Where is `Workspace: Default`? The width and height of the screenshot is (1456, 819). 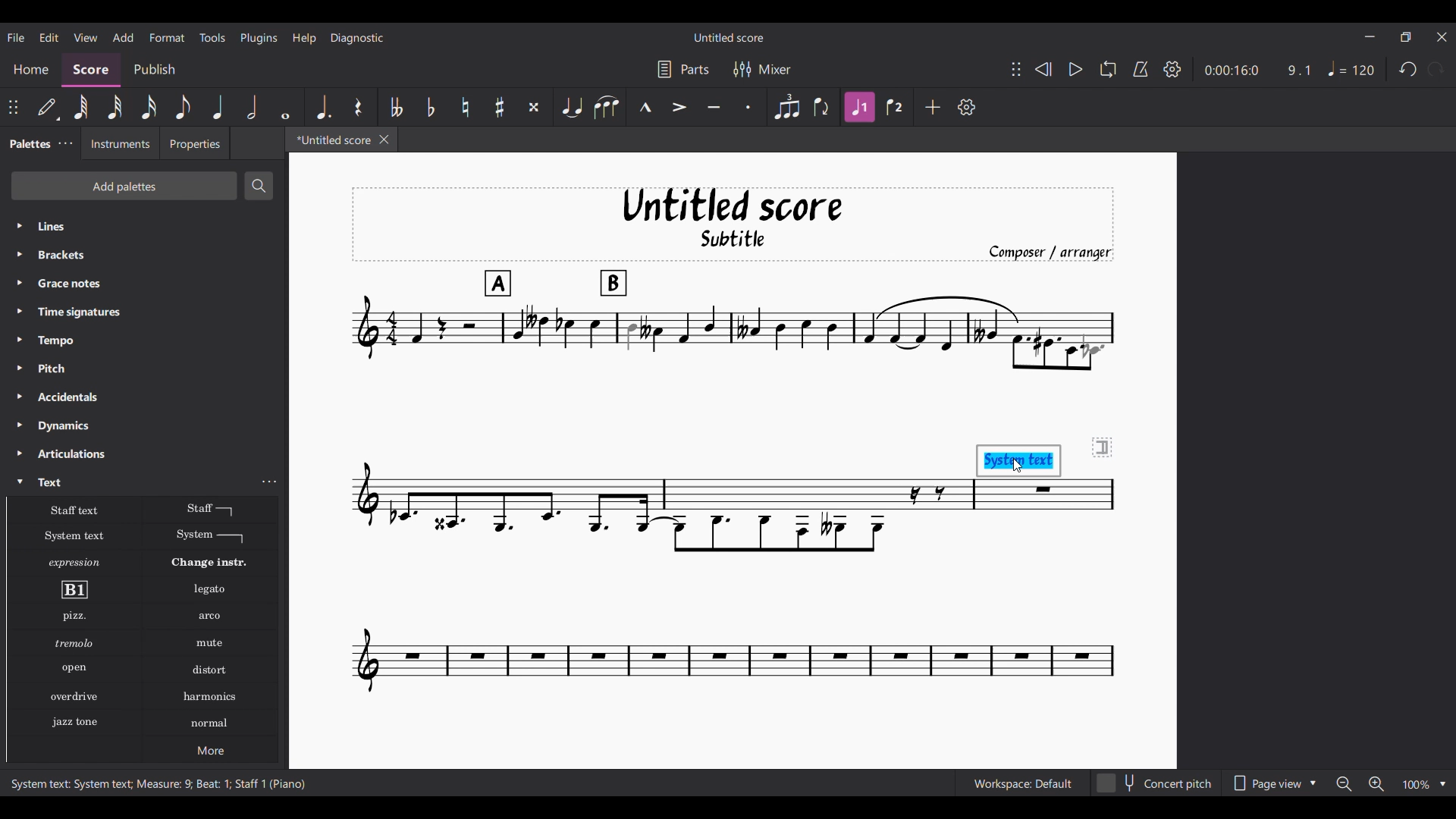 Workspace: Default is located at coordinates (1023, 783).